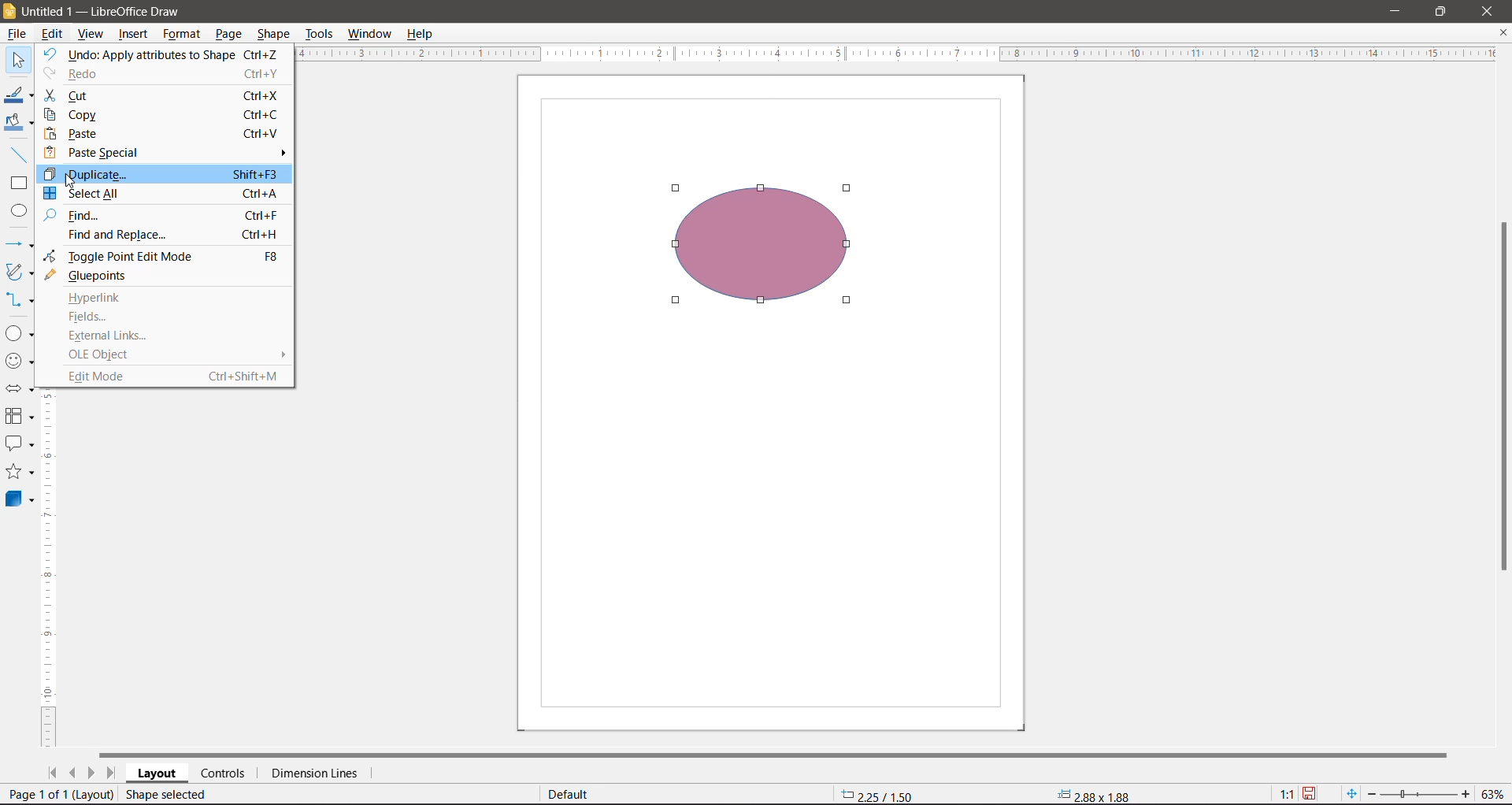 This screenshot has height=805, width=1512. Describe the element at coordinates (20, 416) in the screenshot. I see `Flowchart` at that location.